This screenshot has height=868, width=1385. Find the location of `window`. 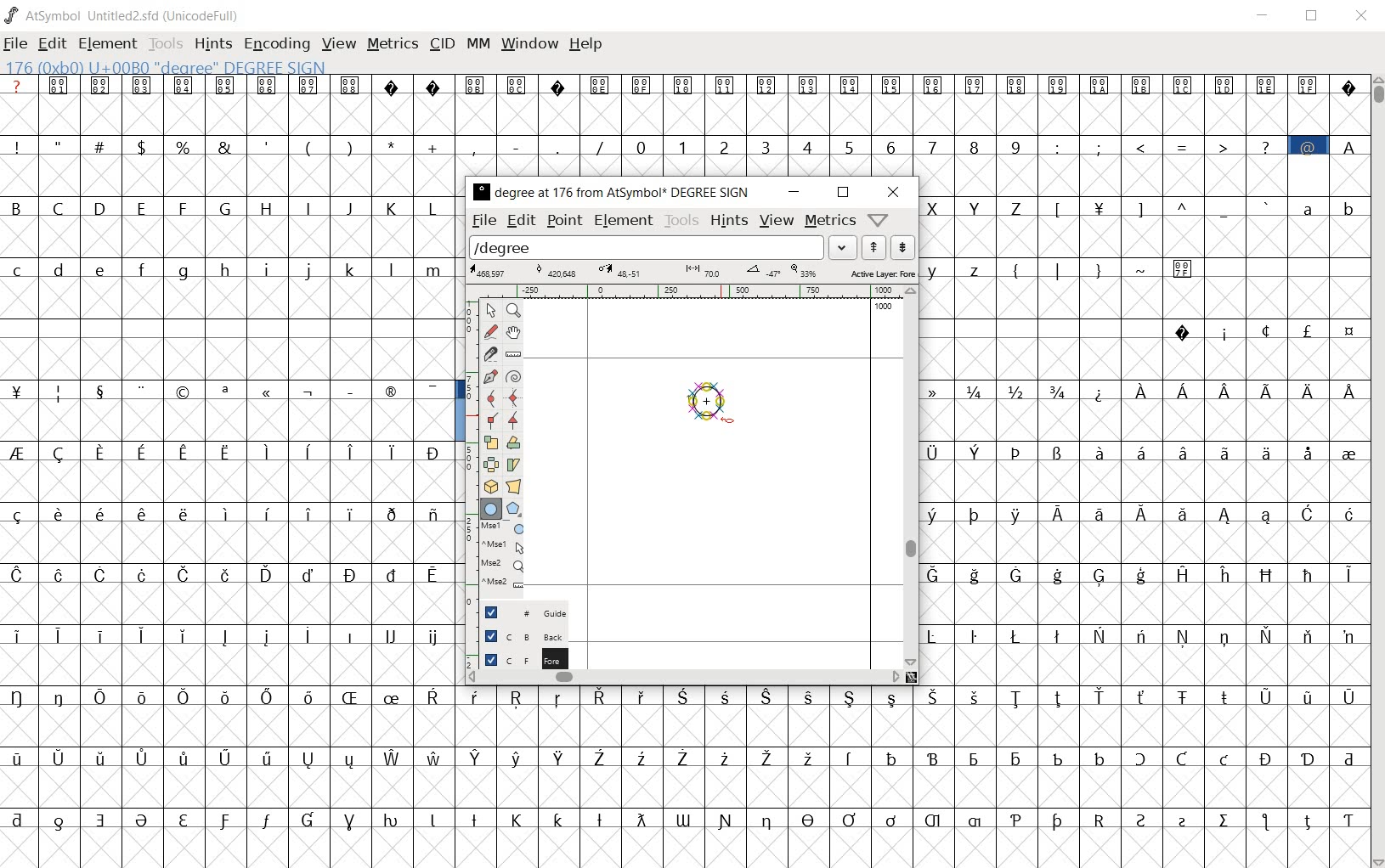

window is located at coordinates (531, 42).